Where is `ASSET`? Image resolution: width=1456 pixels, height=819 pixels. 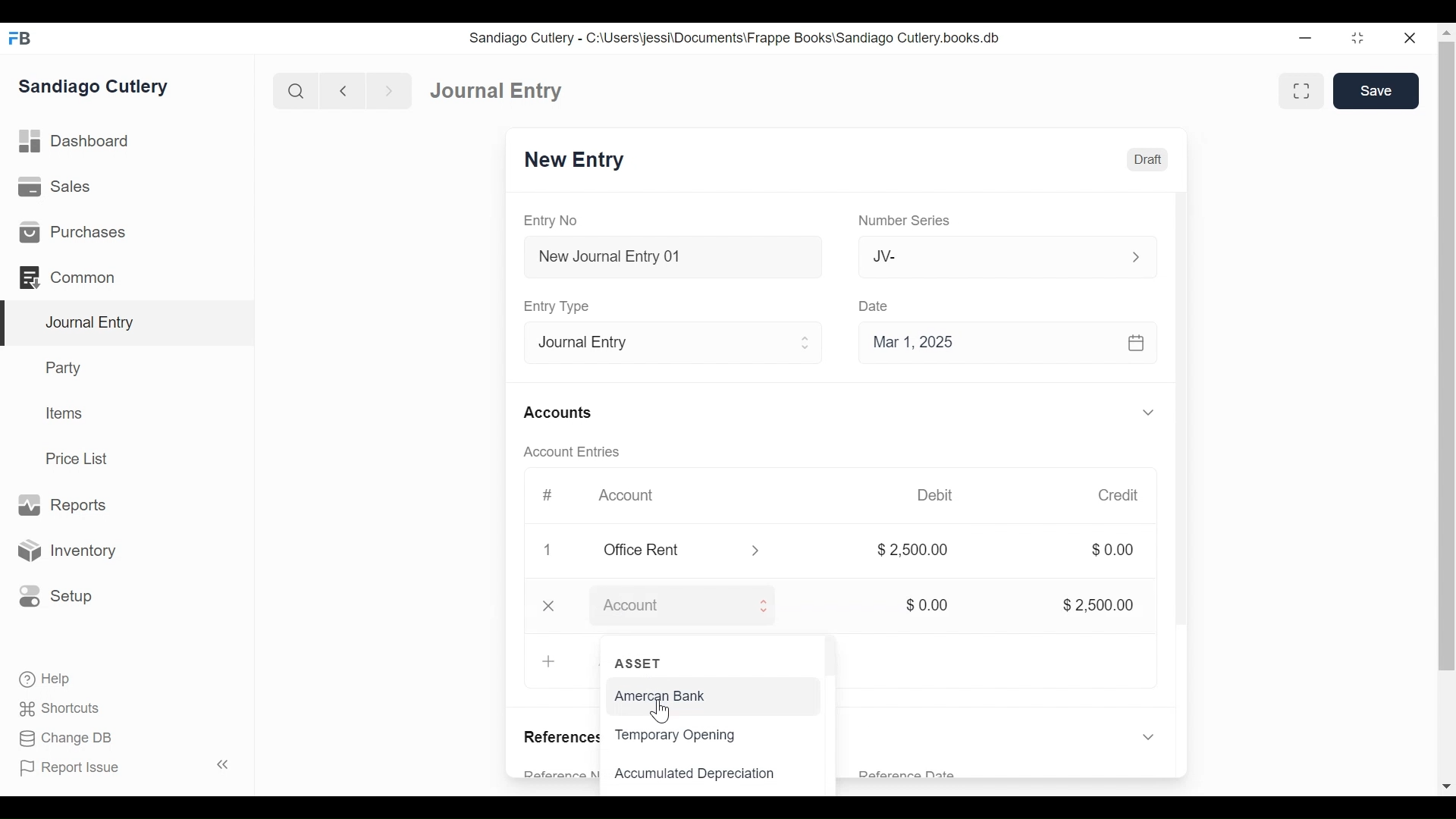 ASSET is located at coordinates (654, 664).